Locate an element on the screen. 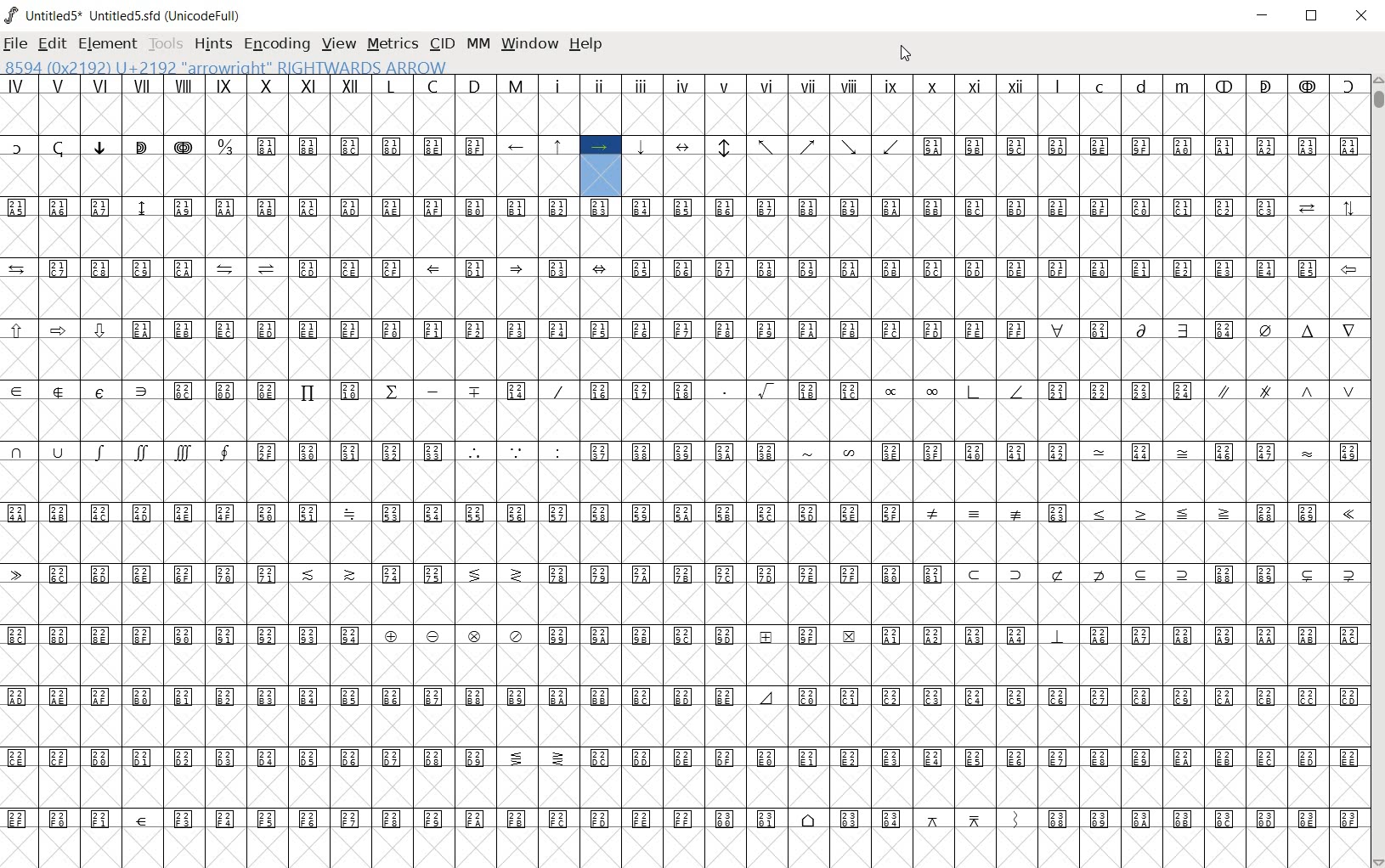 The height and width of the screenshot is (868, 1385). 8594 (0x2192) U+2192 "arrowright" RIGHTWARDS ARROW is located at coordinates (226, 67).